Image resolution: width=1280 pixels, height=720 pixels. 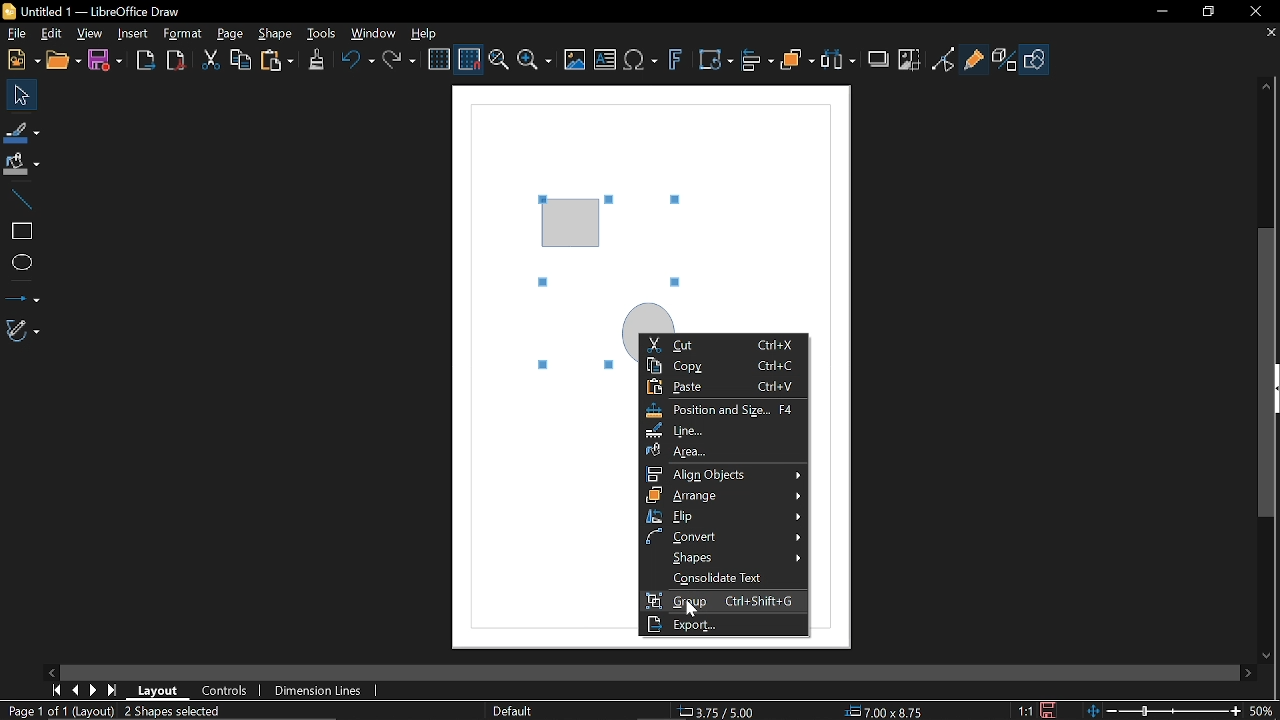 What do you see at coordinates (157, 690) in the screenshot?
I see `Layout` at bounding box center [157, 690].